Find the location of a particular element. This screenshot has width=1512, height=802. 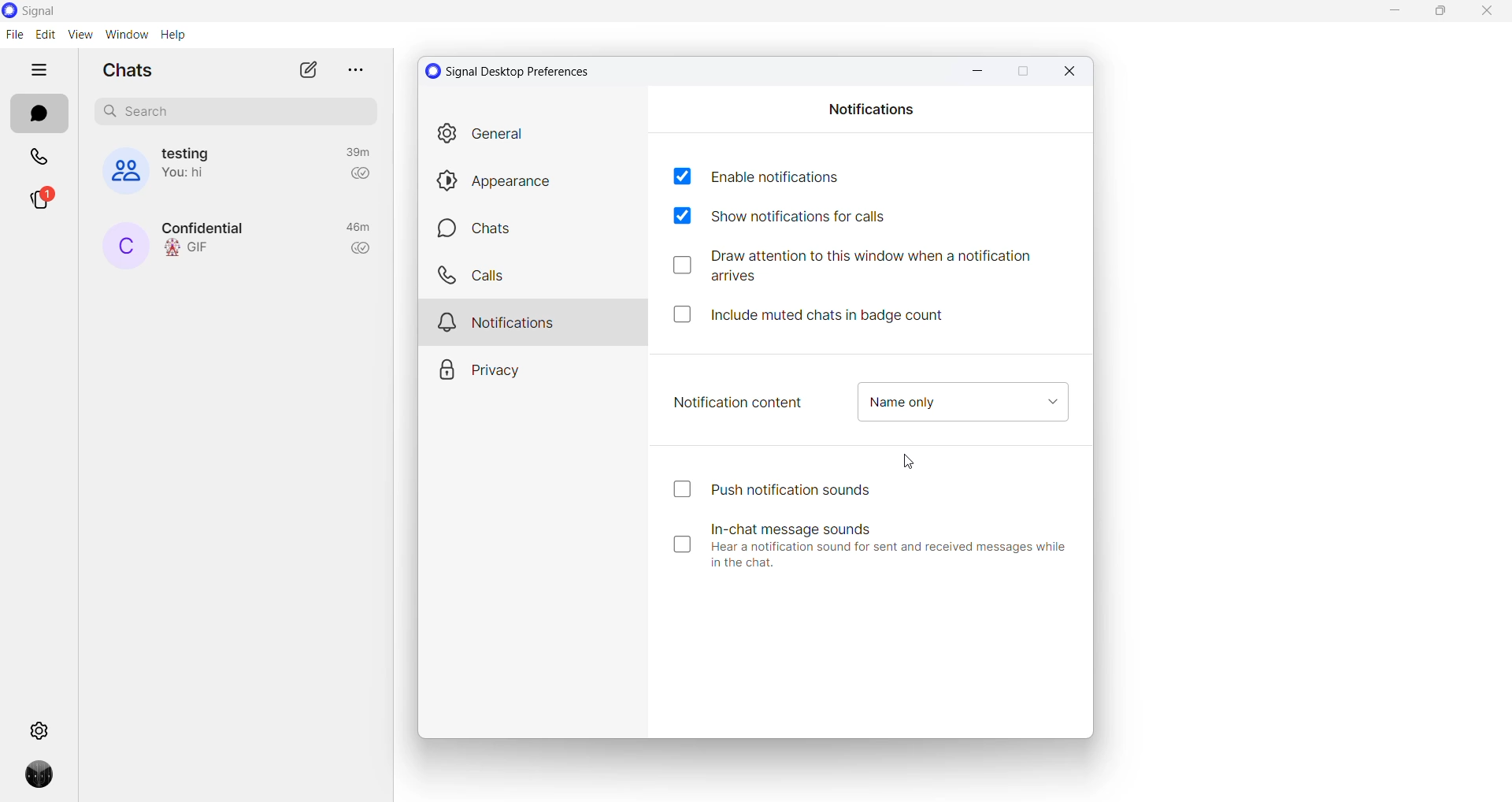

chats is located at coordinates (36, 115).